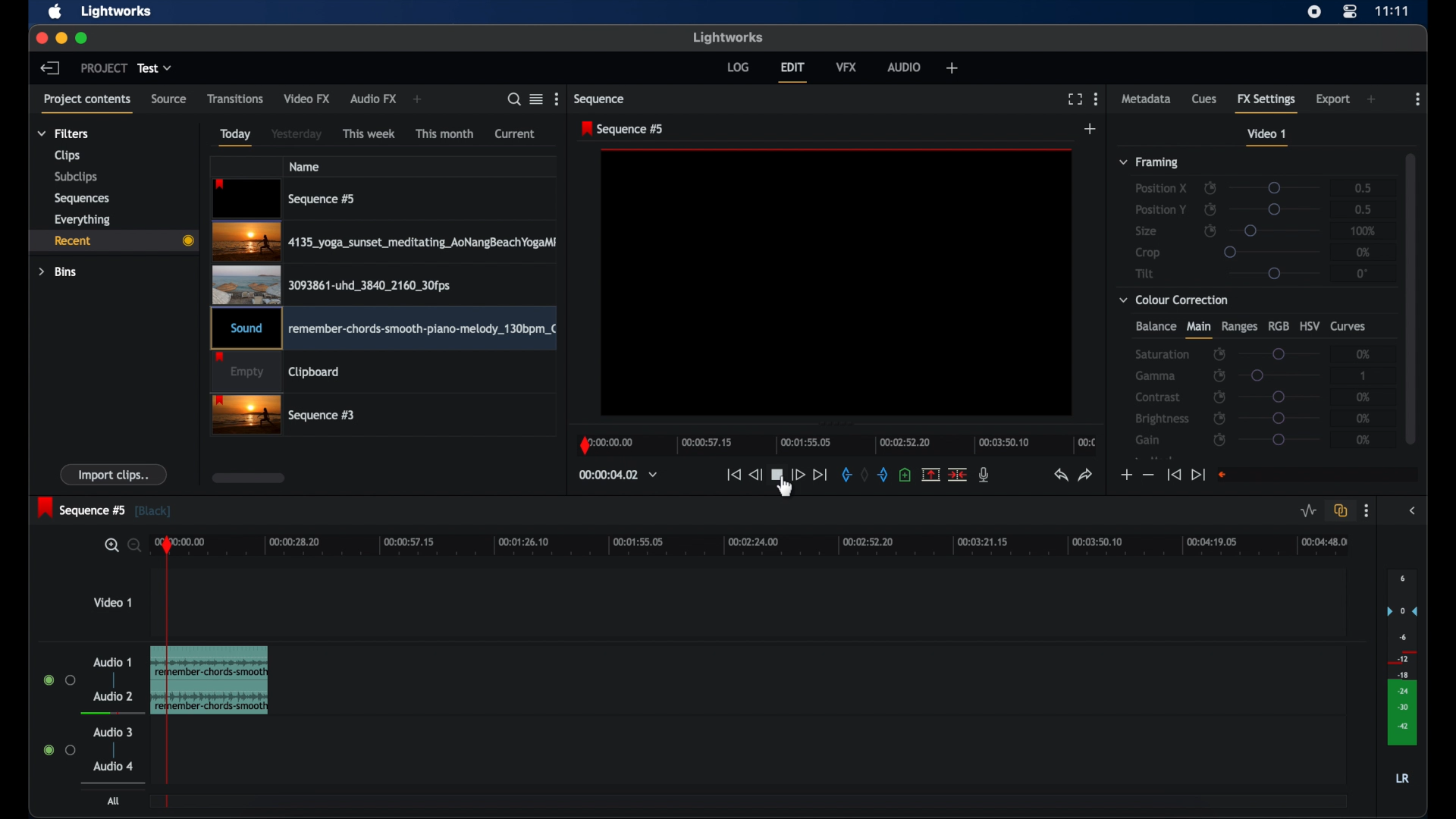 The height and width of the screenshot is (819, 1456). Describe the element at coordinates (1364, 353) in the screenshot. I see `0%` at that location.